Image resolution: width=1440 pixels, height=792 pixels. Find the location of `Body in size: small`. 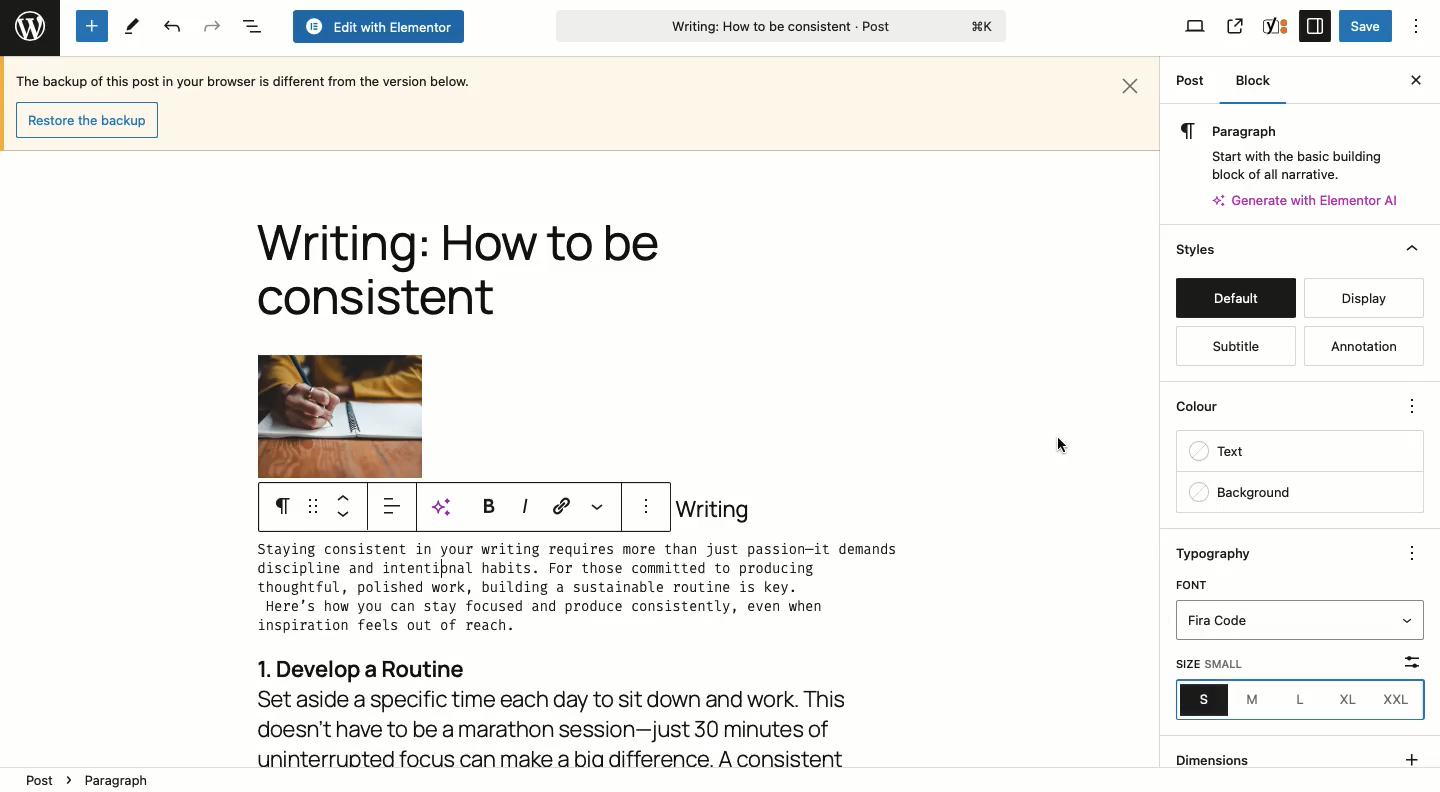

Body in size: small is located at coordinates (598, 592).